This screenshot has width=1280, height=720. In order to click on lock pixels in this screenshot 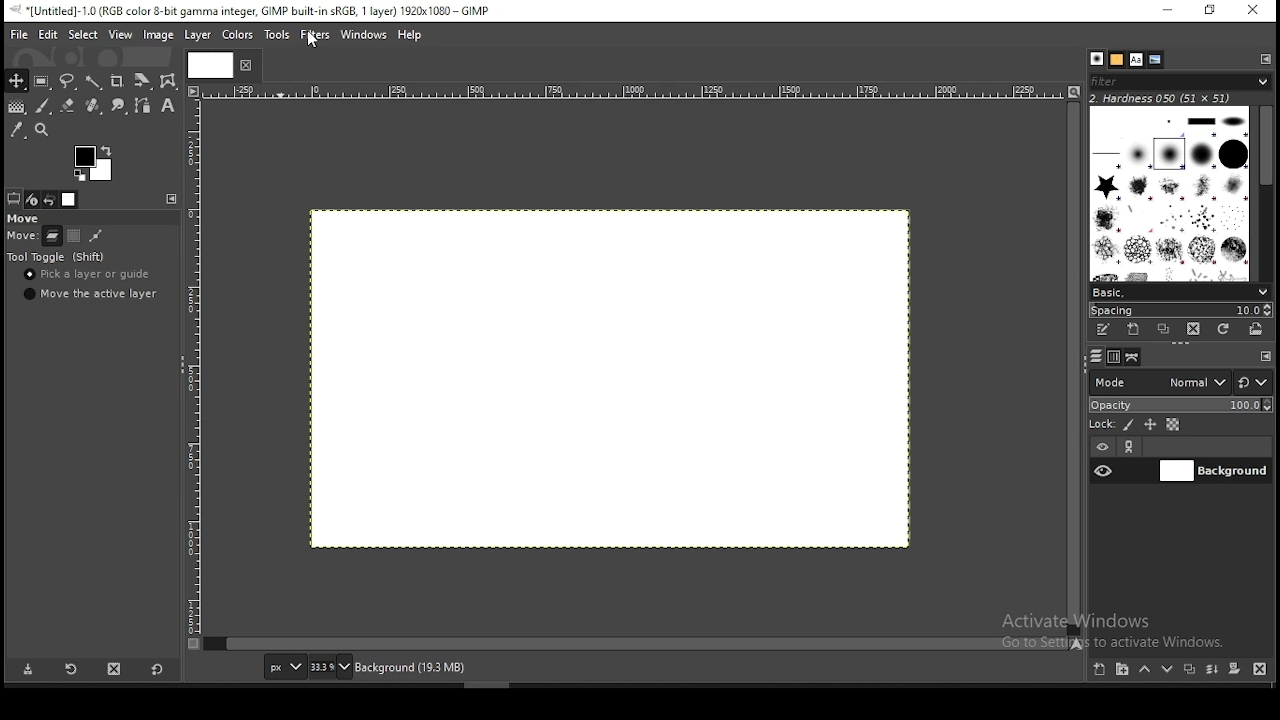, I will do `click(1128, 425)`.